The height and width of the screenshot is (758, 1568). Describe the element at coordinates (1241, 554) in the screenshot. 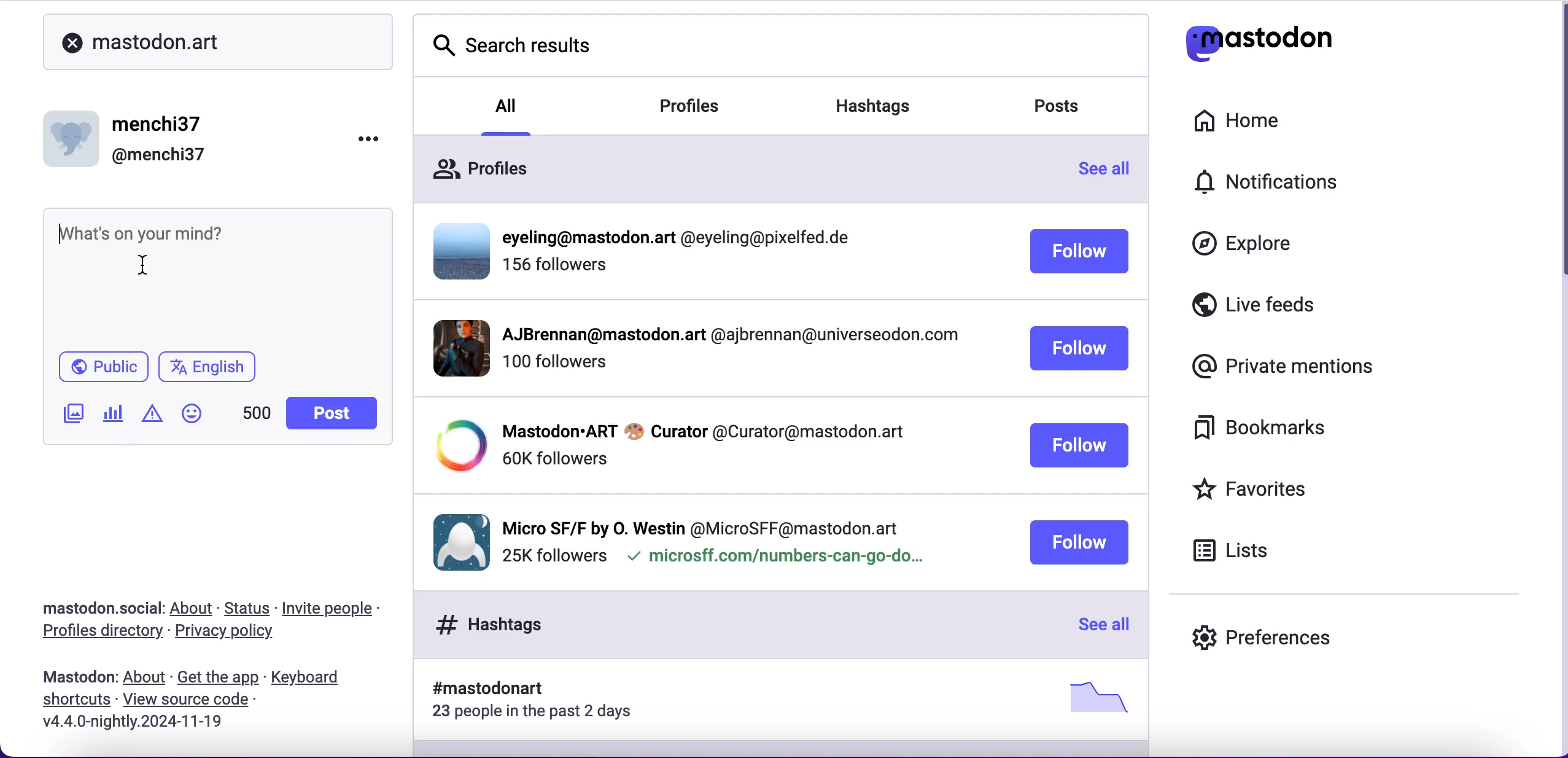

I see `lists` at that location.